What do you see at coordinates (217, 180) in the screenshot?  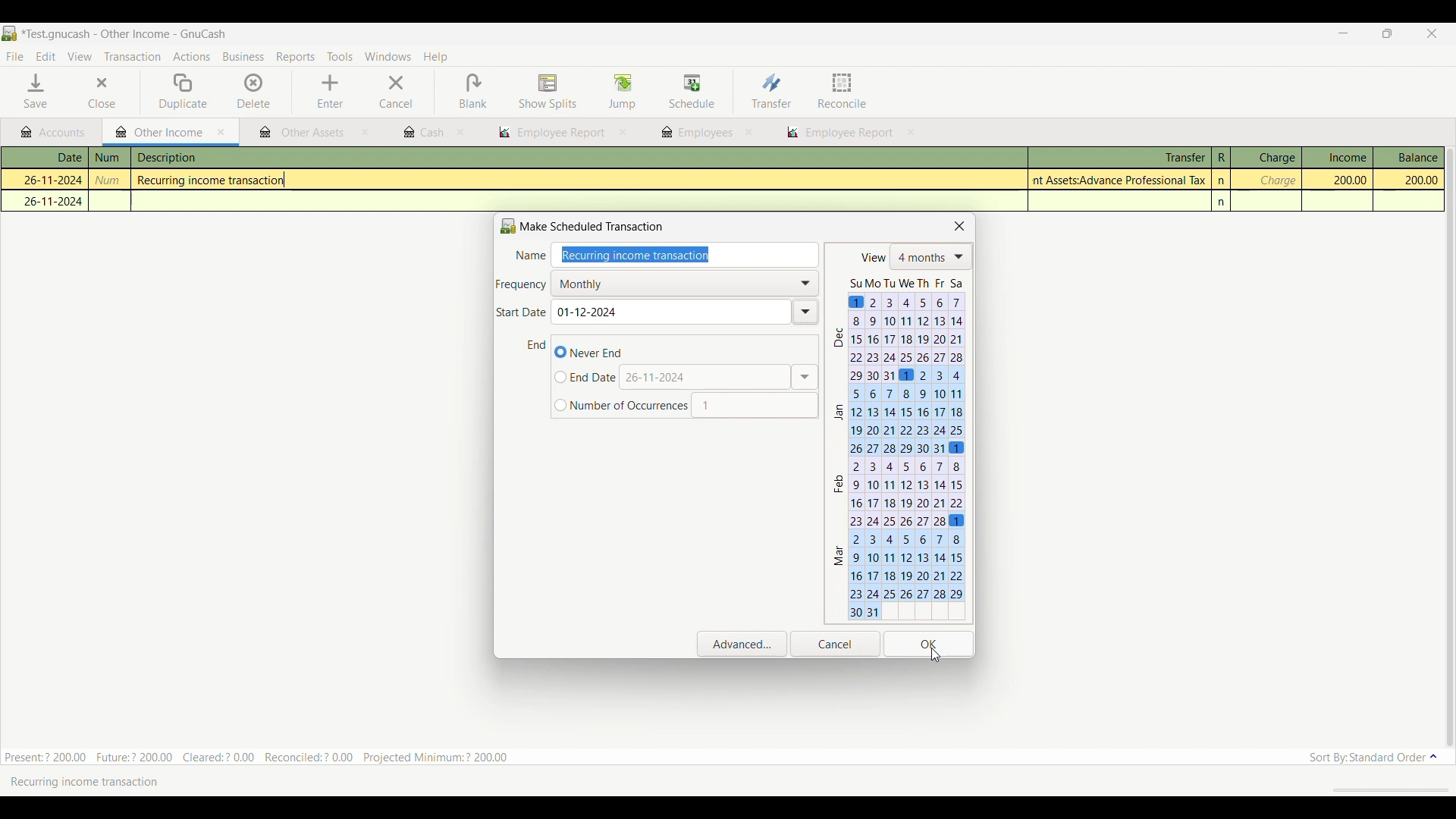 I see `Recurring income transaction` at bounding box center [217, 180].